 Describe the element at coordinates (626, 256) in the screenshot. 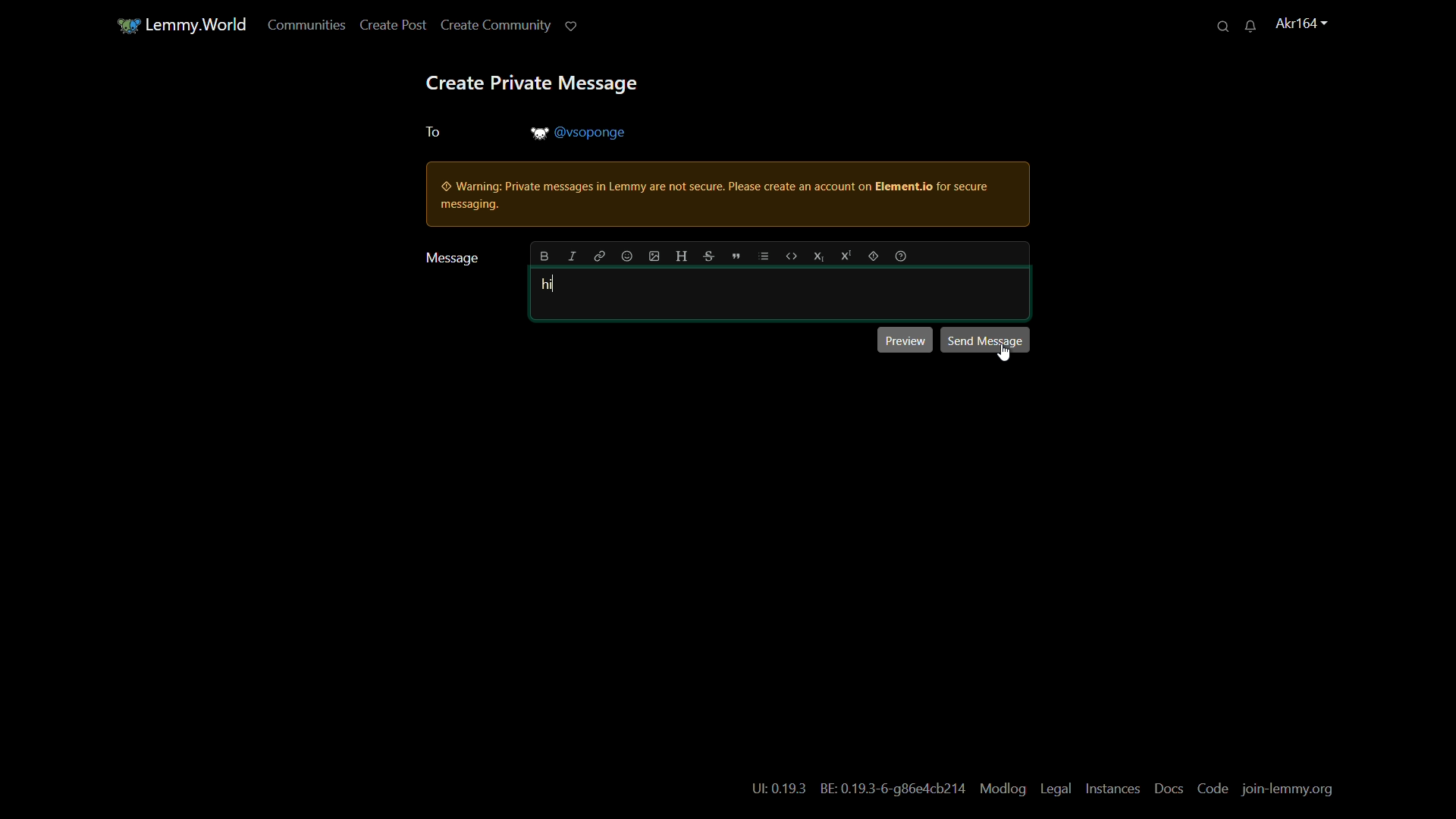

I see `add emoji` at that location.